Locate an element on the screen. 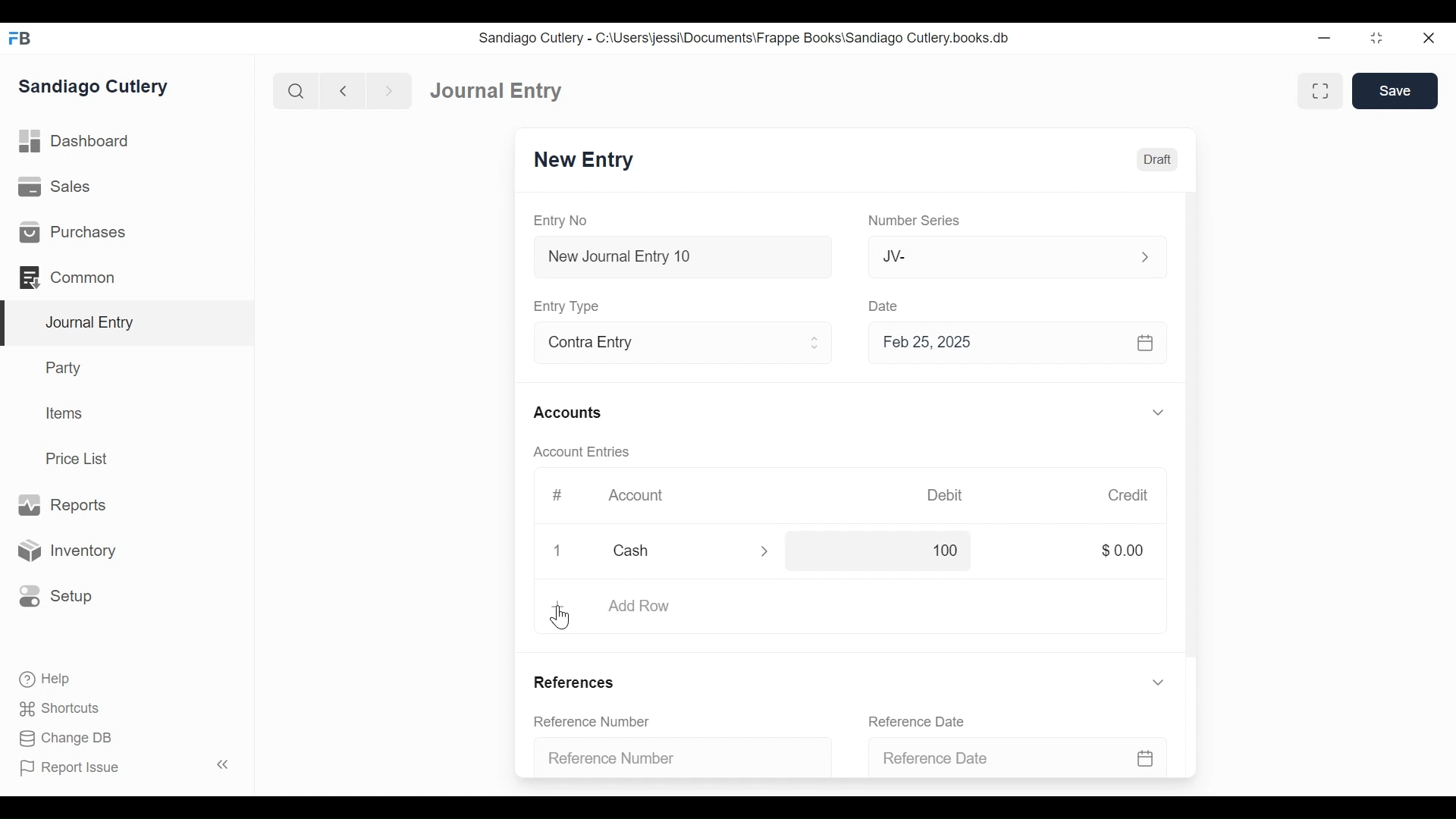  Restore is located at coordinates (1376, 39).